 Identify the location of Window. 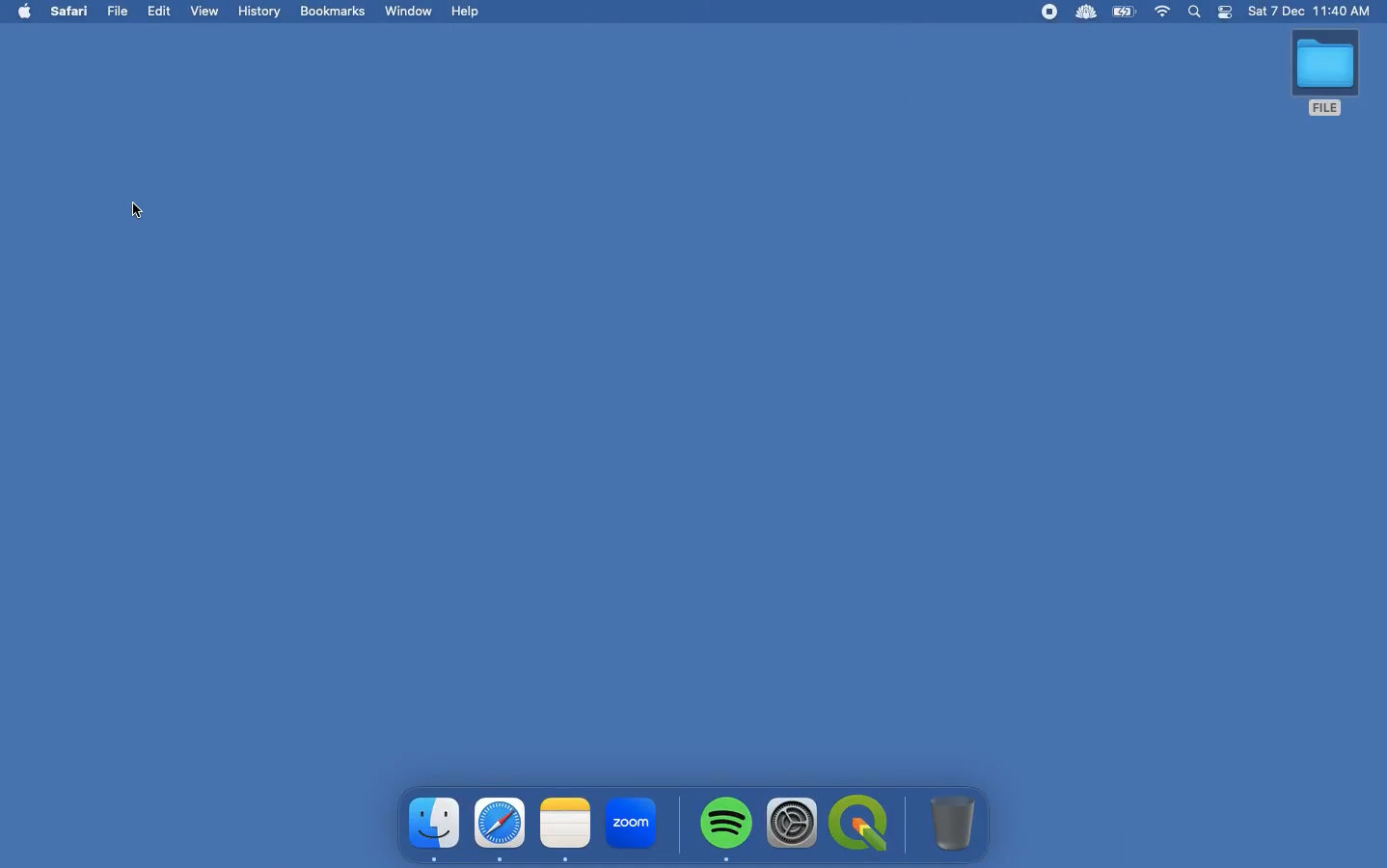
(410, 12).